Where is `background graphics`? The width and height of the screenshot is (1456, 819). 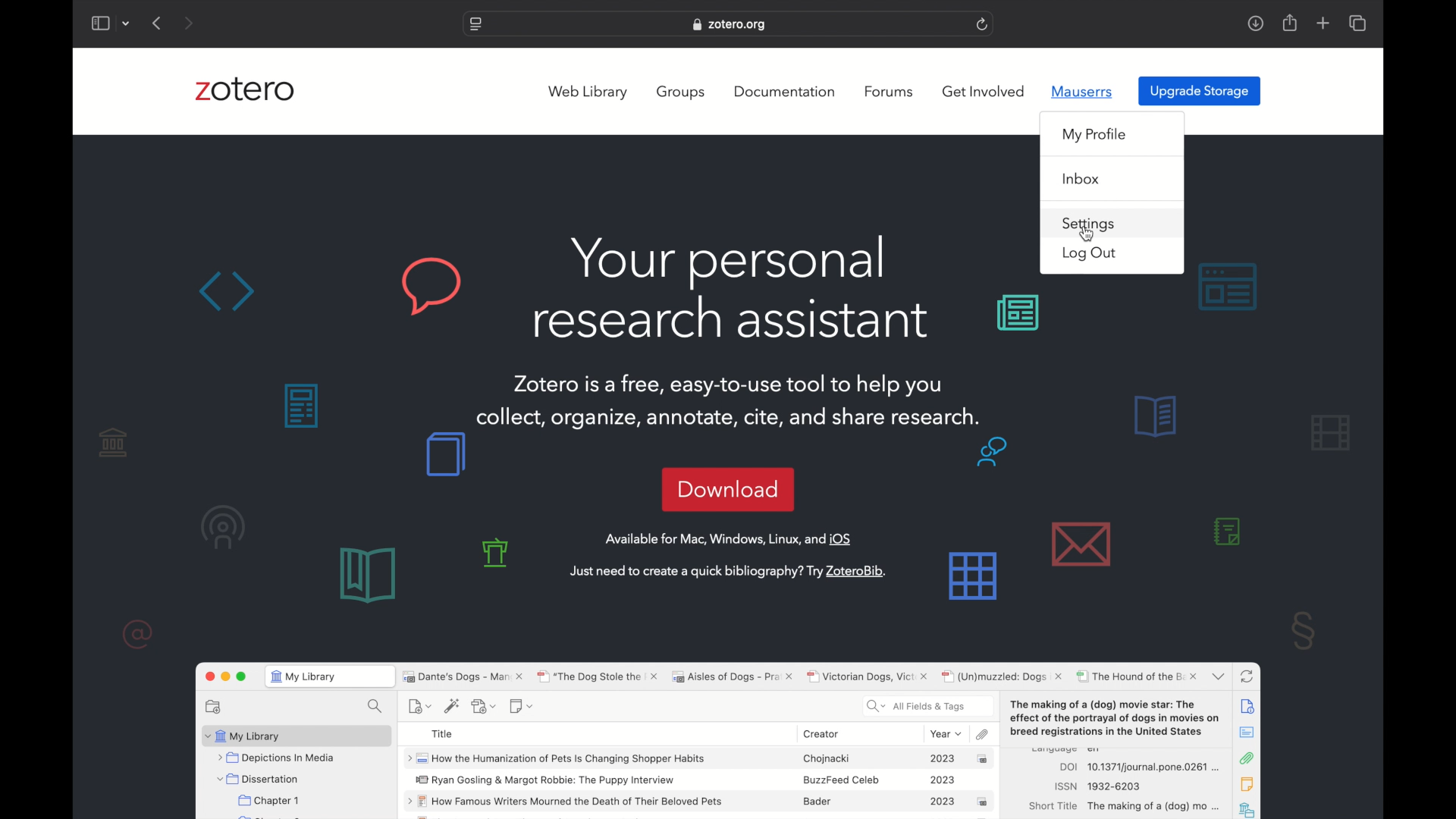 background graphics is located at coordinates (326, 286).